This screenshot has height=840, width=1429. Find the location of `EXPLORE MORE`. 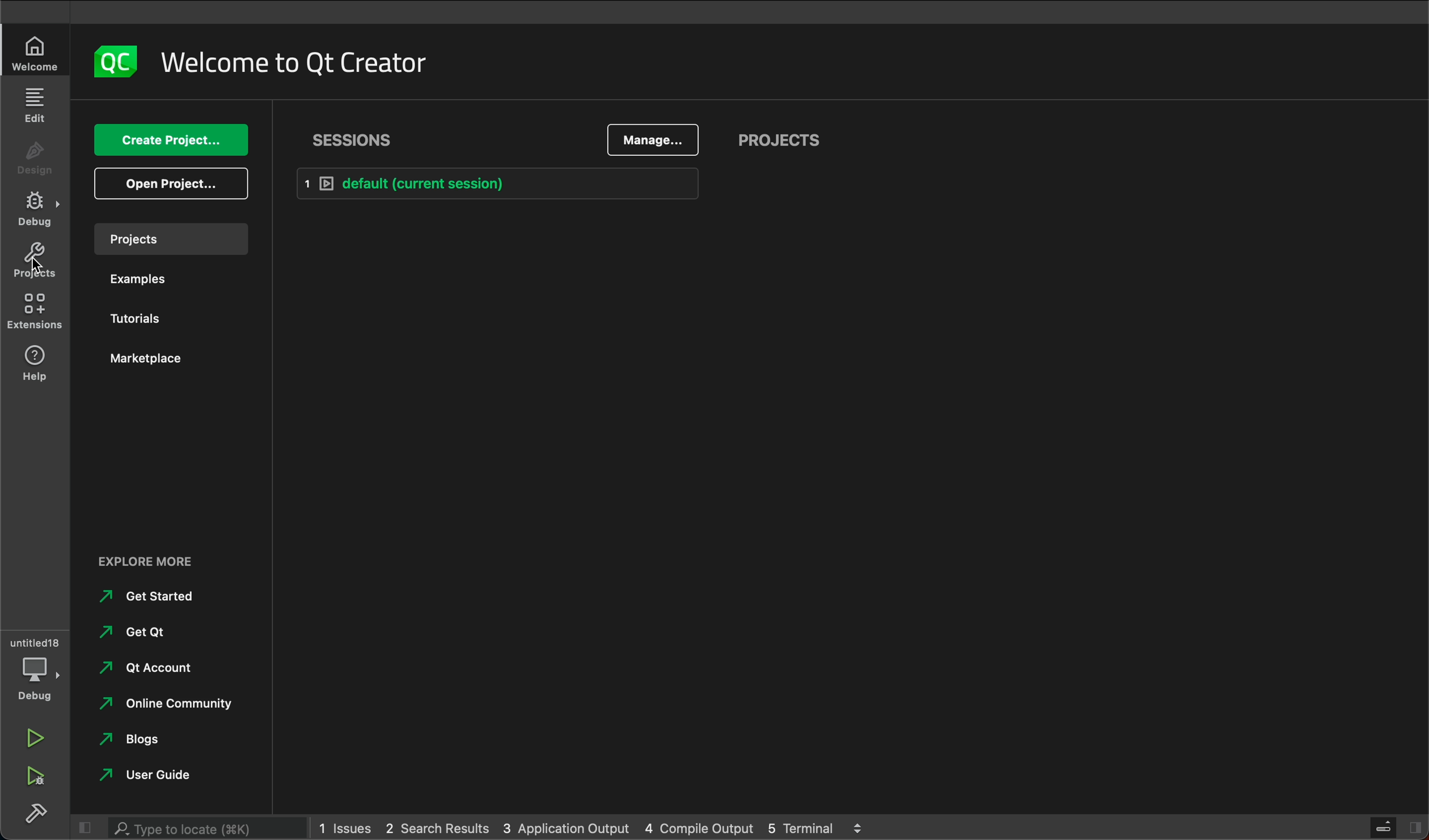

EXPLORE MORE is located at coordinates (146, 562).